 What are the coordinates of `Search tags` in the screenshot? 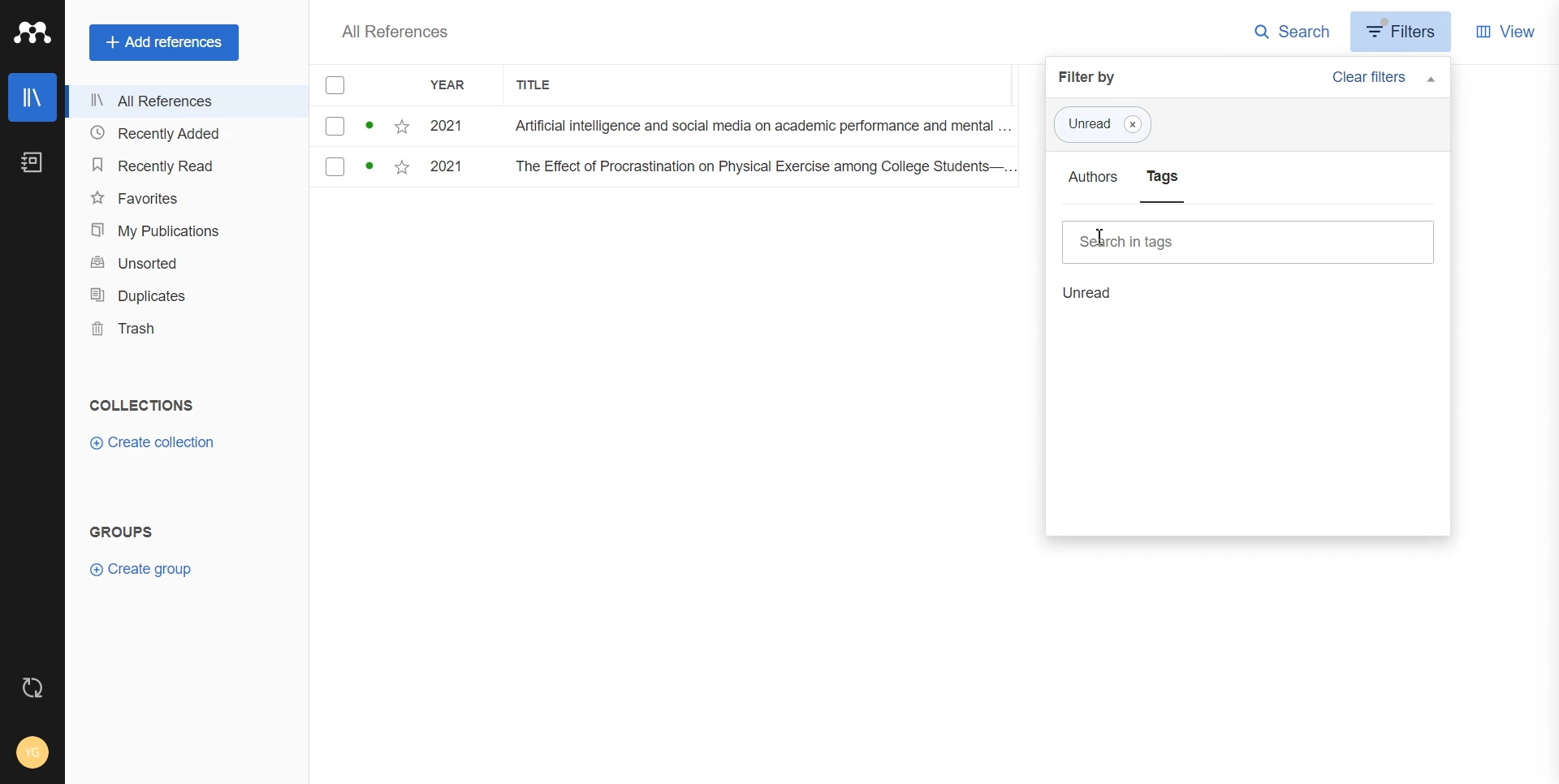 It's located at (1249, 241).